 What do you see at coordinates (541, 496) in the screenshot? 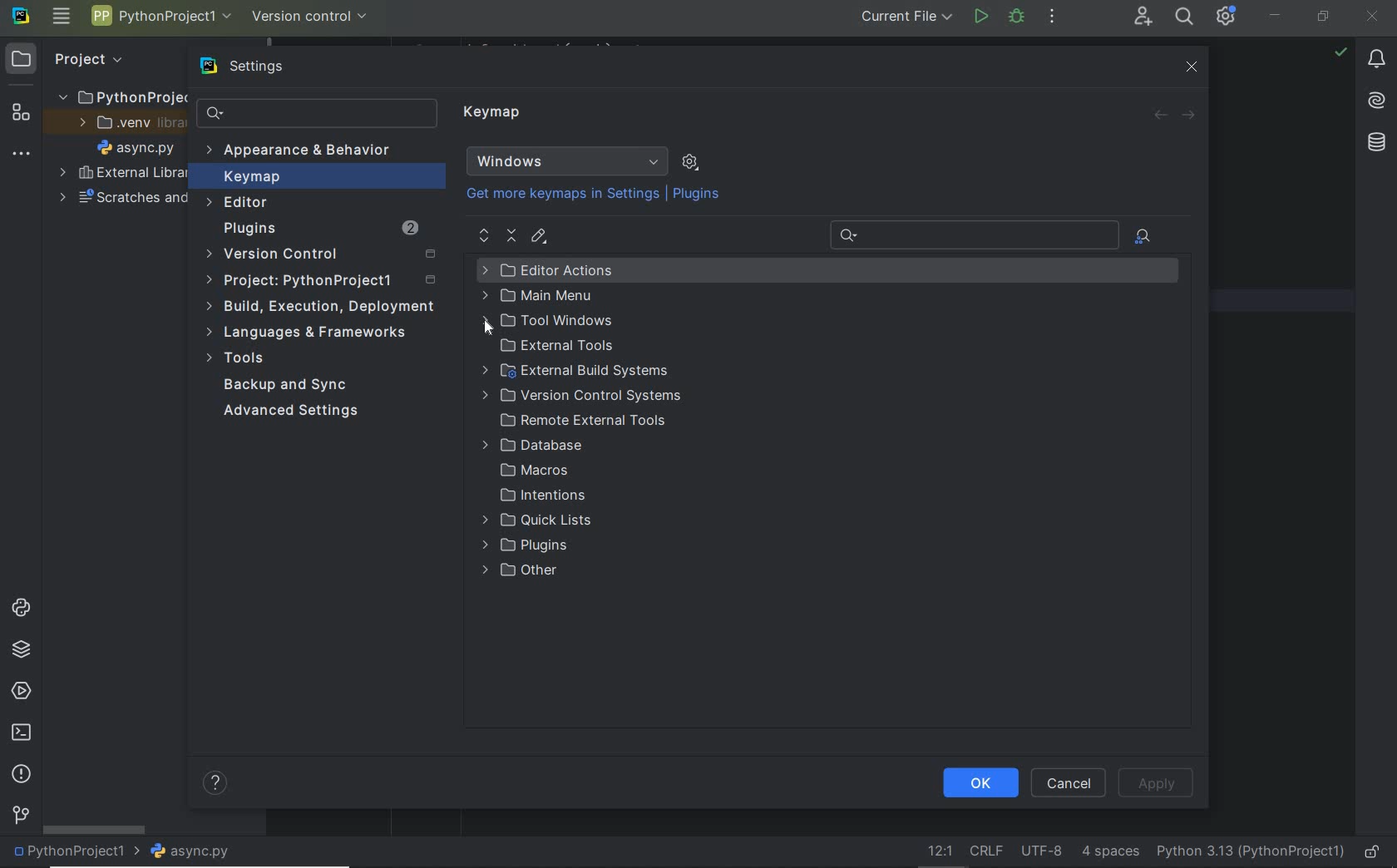
I see `Intentions` at bounding box center [541, 496].